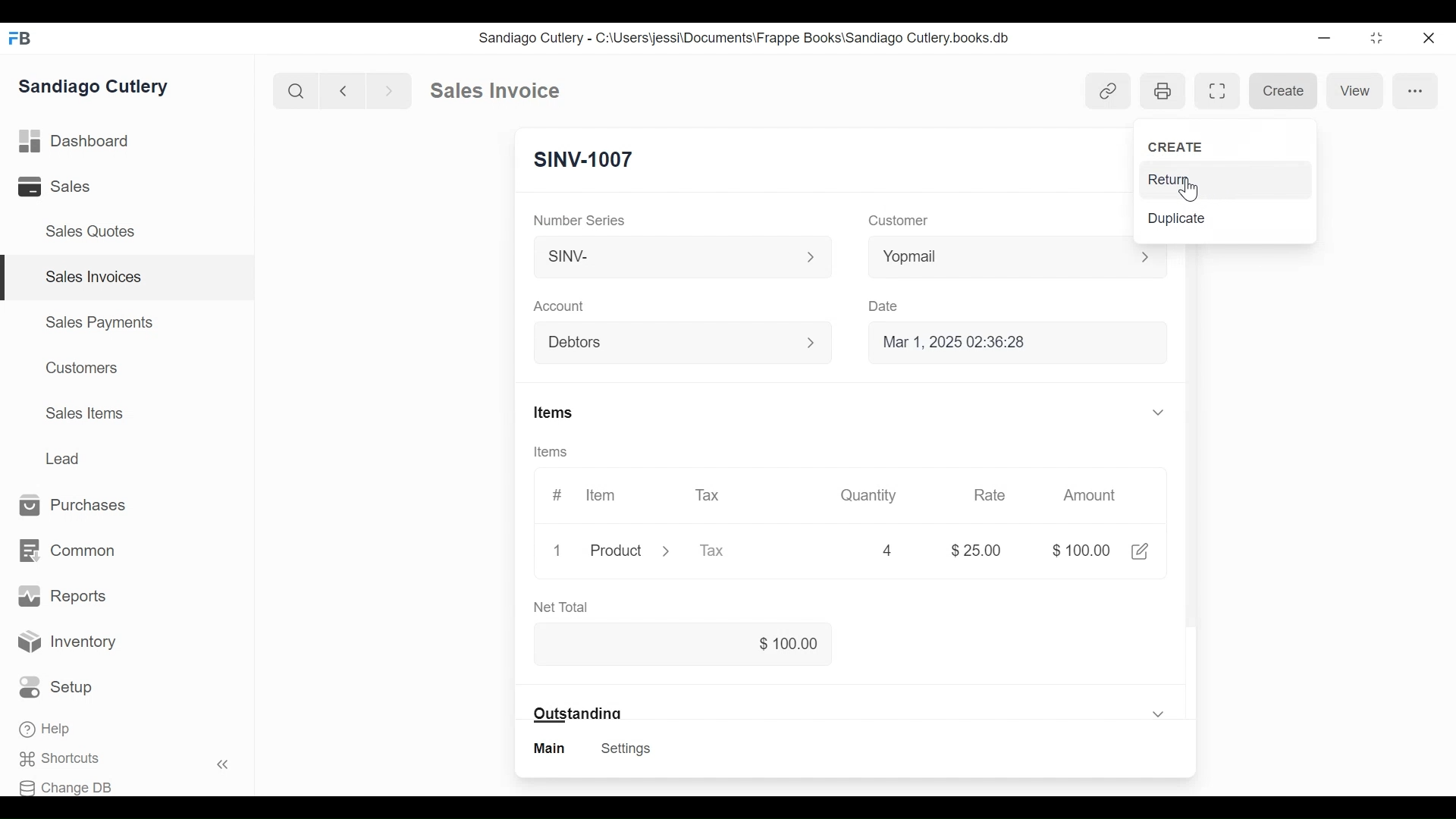  What do you see at coordinates (1432, 39) in the screenshot?
I see `Close` at bounding box center [1432, 39].